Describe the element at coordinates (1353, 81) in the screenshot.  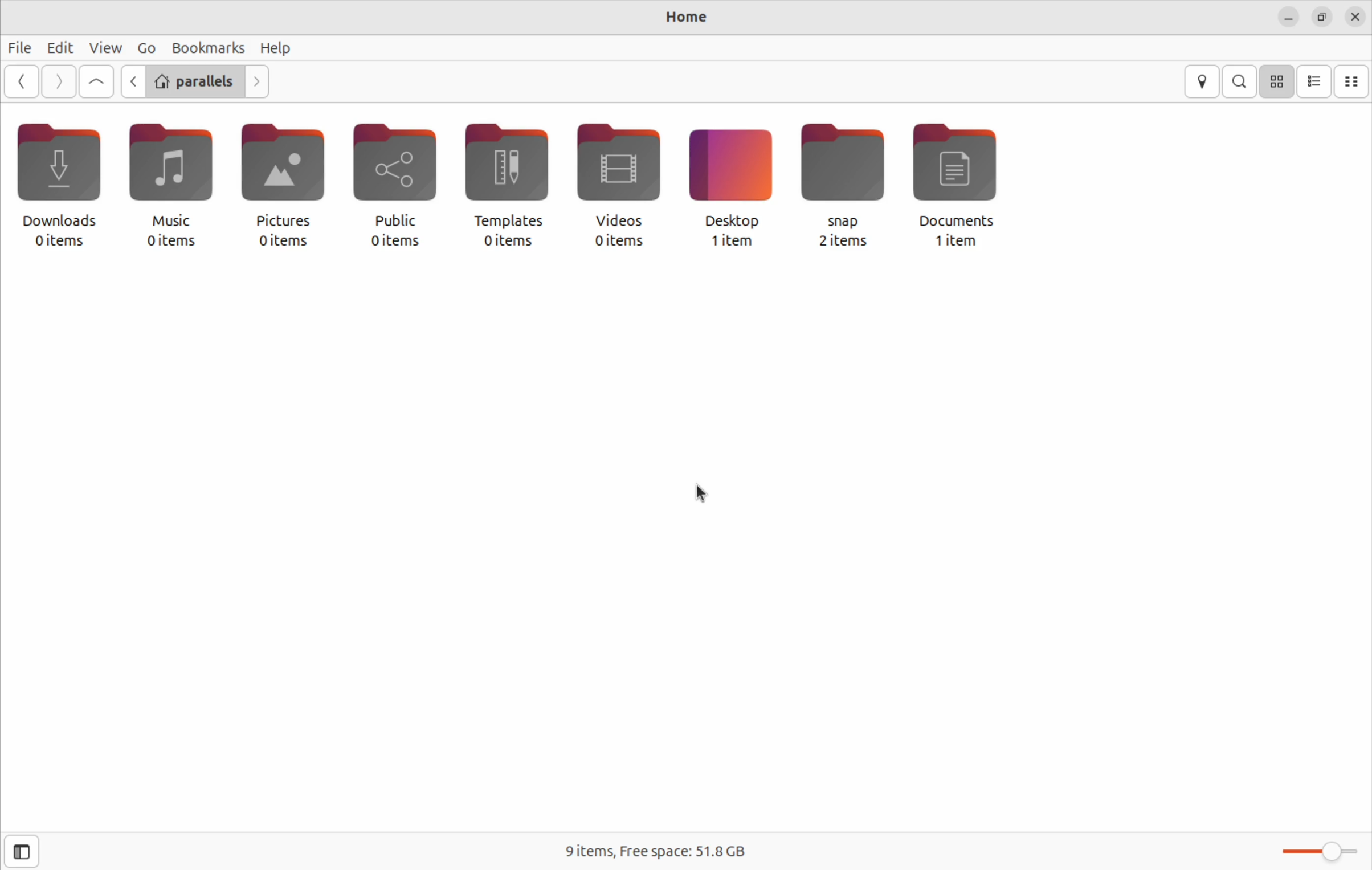
I see `compact view` at that location.